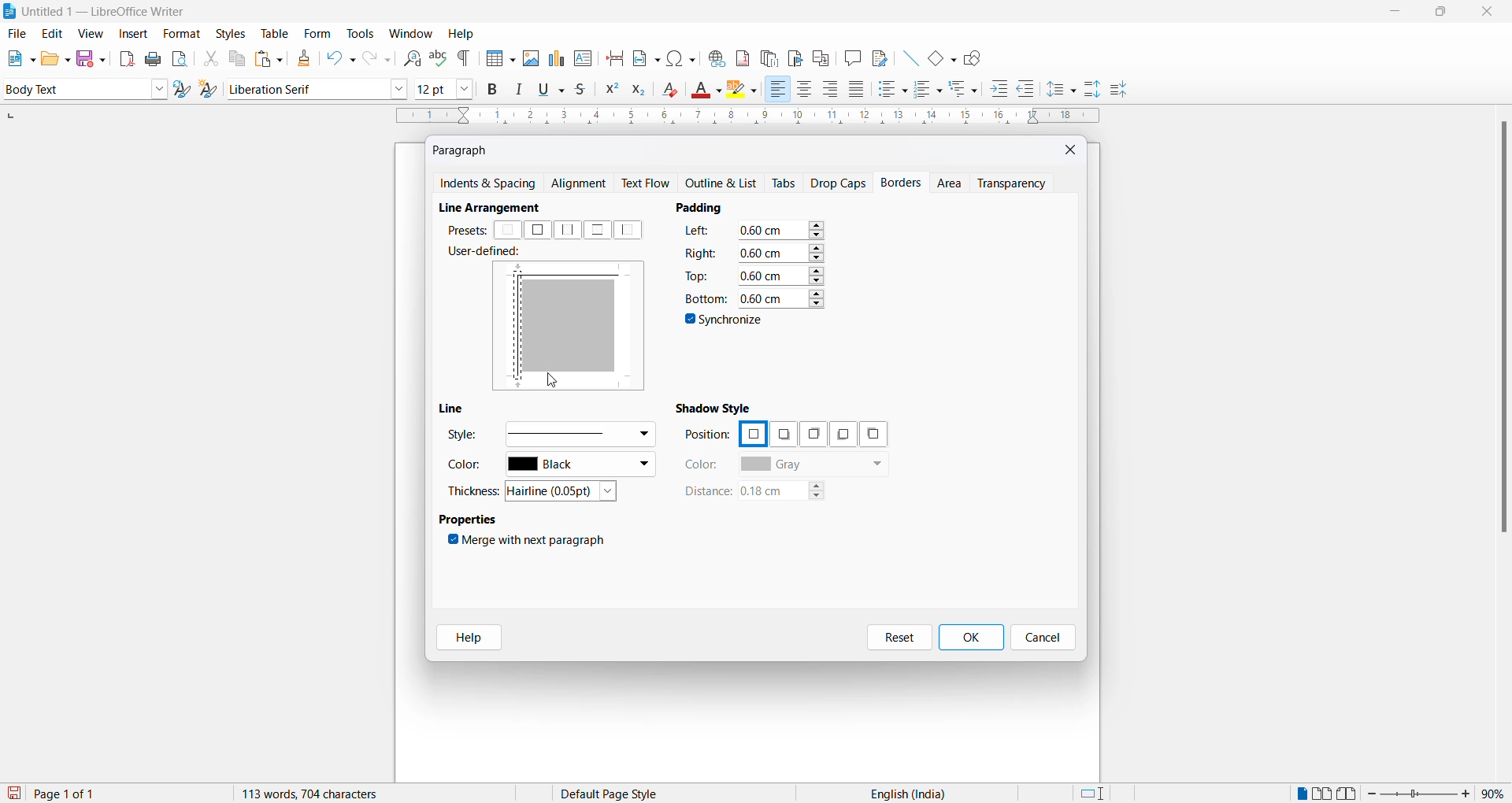  I want to click on single page view, so click(1300, 794).